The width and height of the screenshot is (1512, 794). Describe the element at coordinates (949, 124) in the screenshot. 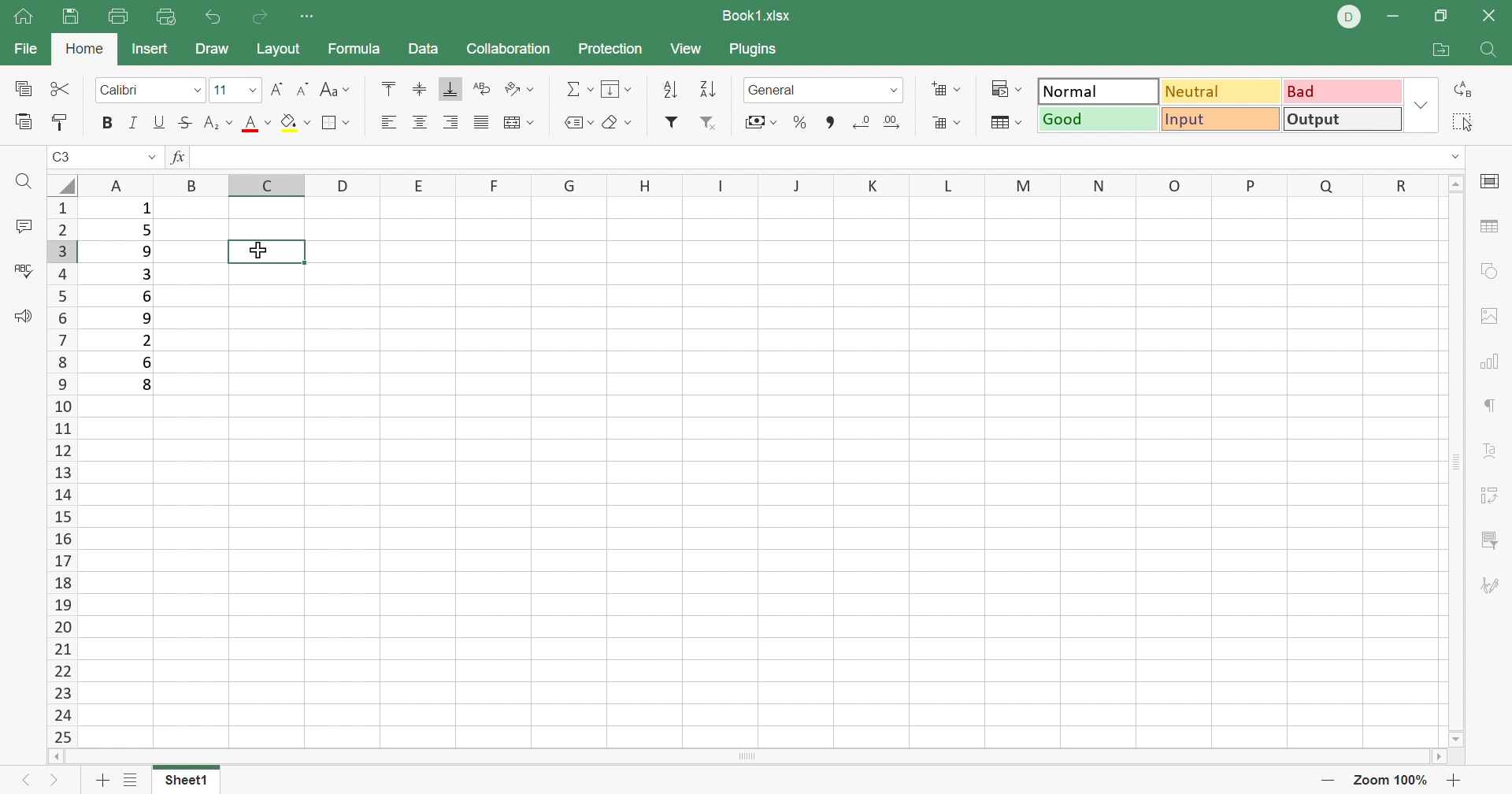

I see `Format as table template` at that location.